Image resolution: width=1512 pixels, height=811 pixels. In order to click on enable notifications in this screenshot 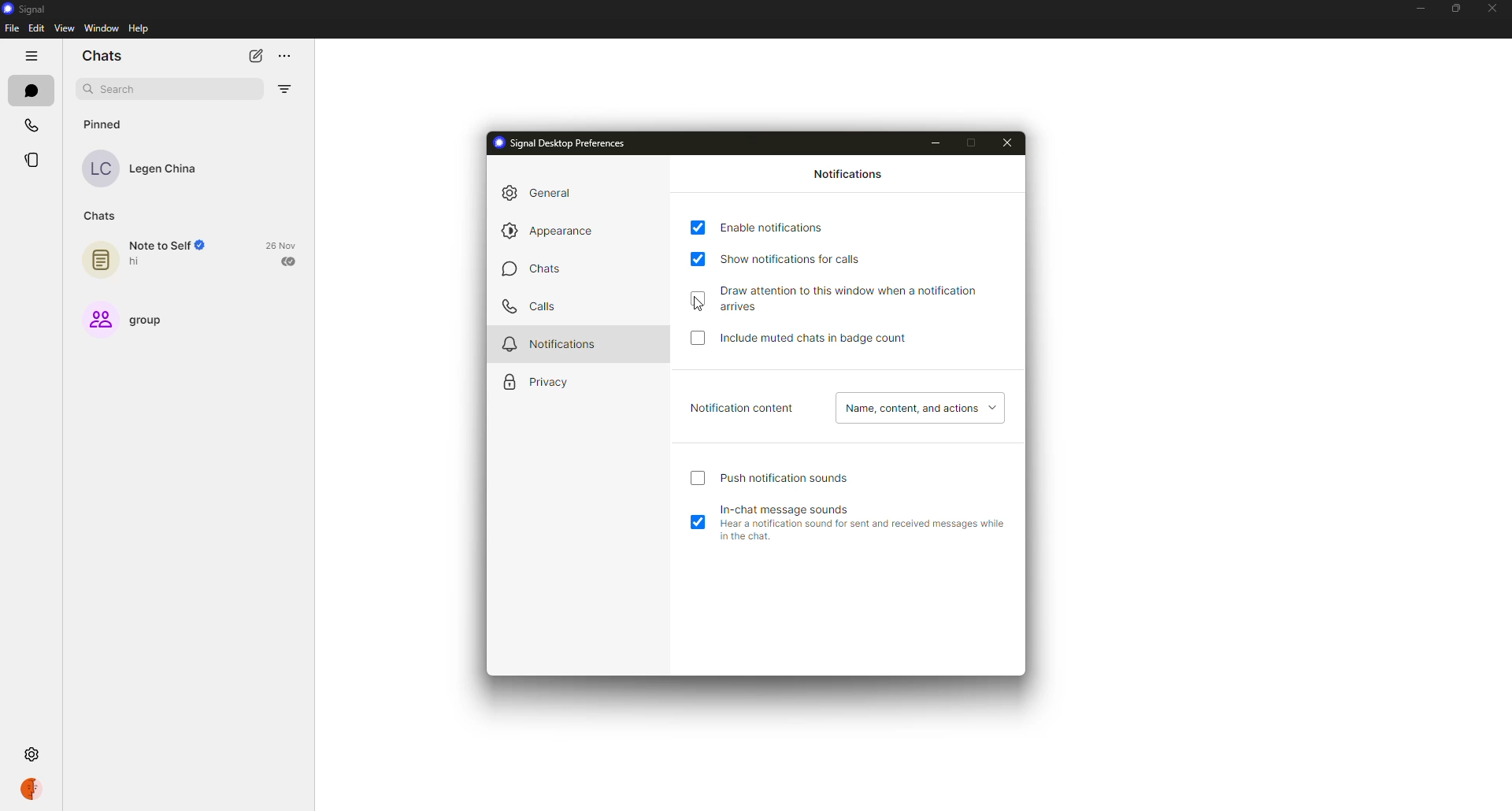, I will do `click(778, 227)`.